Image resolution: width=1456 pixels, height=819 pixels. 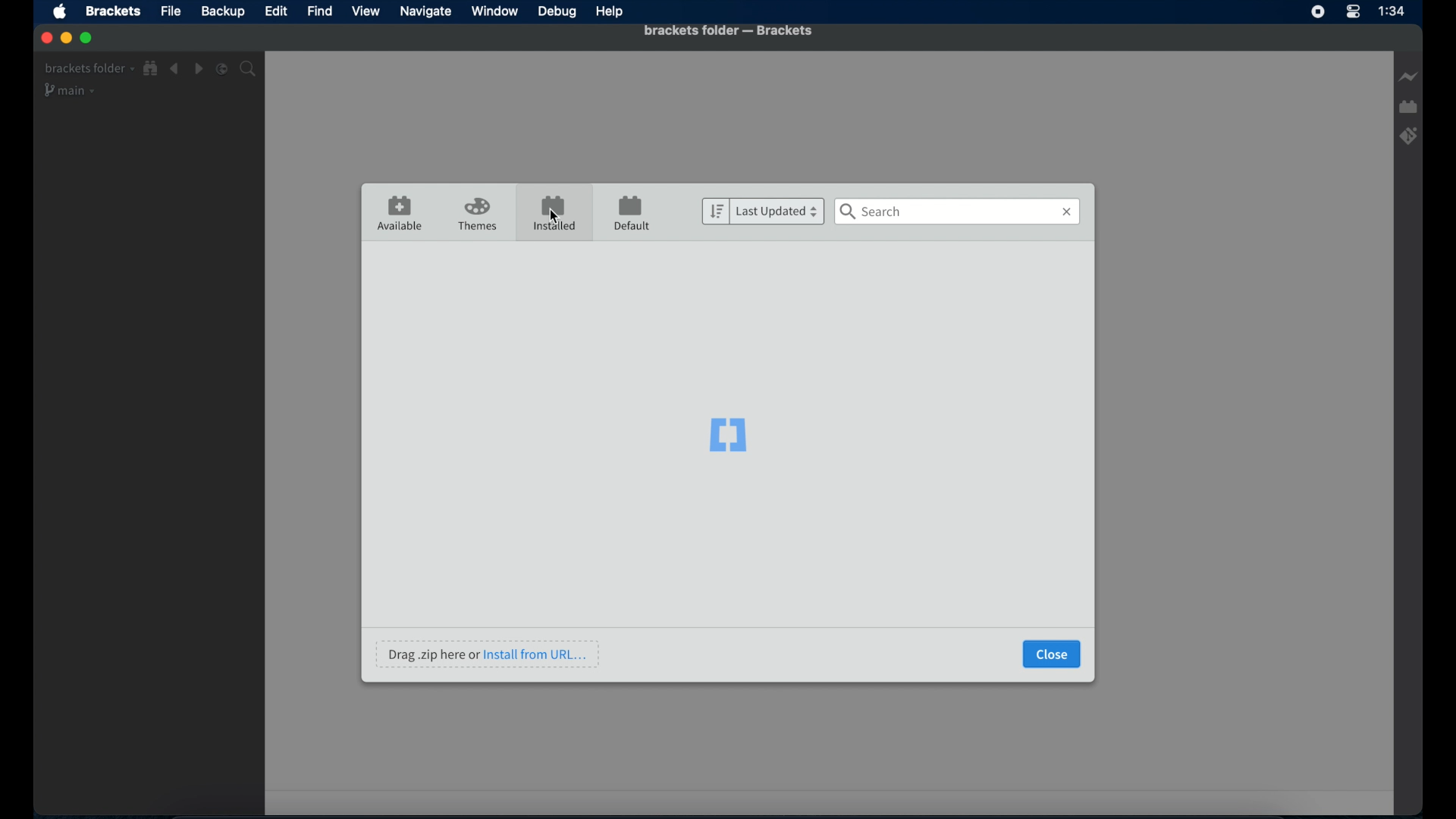 I want to click on Brackets, so click(x=114, y=11).